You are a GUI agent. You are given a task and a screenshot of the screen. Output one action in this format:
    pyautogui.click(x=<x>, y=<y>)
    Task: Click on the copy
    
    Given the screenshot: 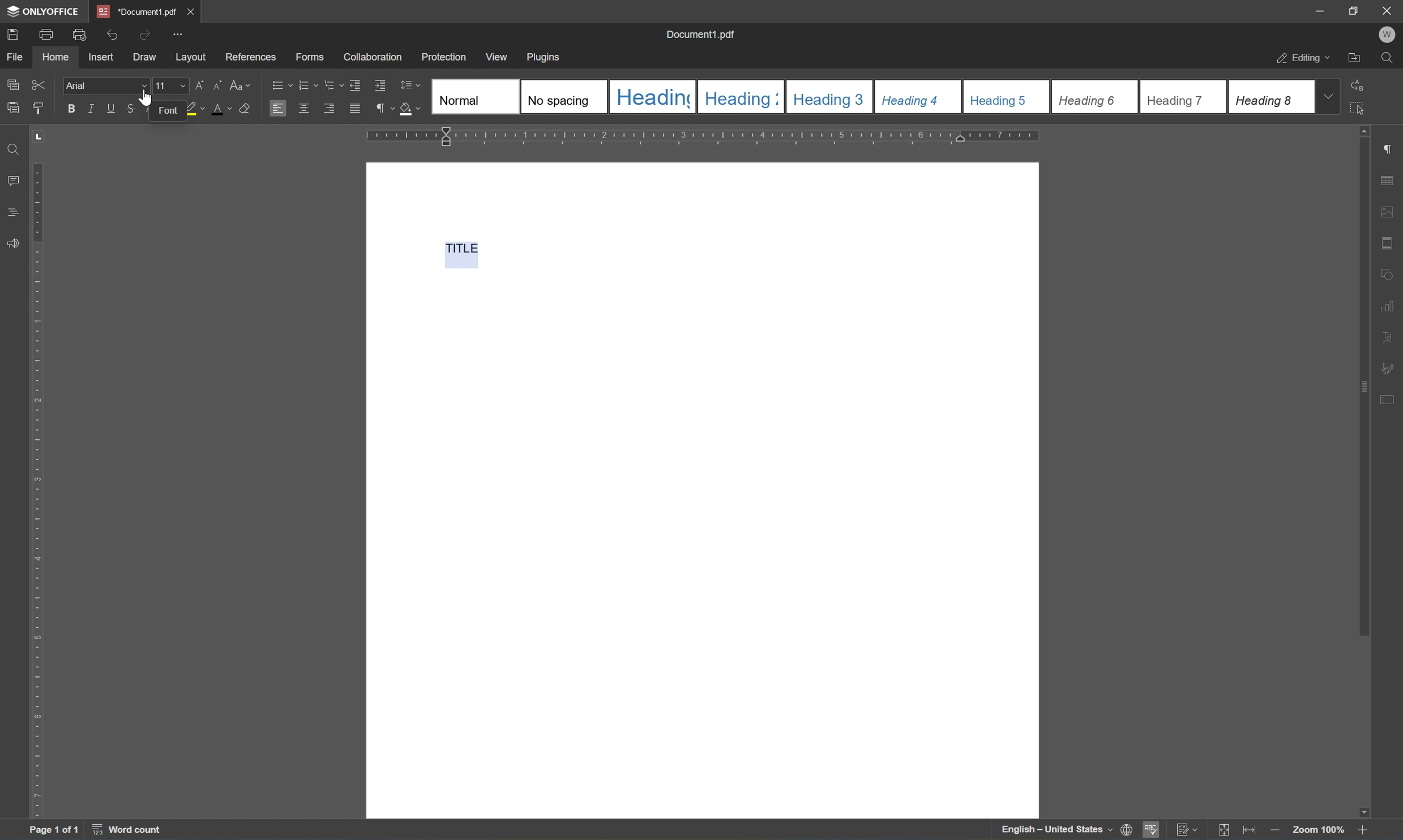 What is the action you would take?
    pyautogui.click(x=10, y=85)
    